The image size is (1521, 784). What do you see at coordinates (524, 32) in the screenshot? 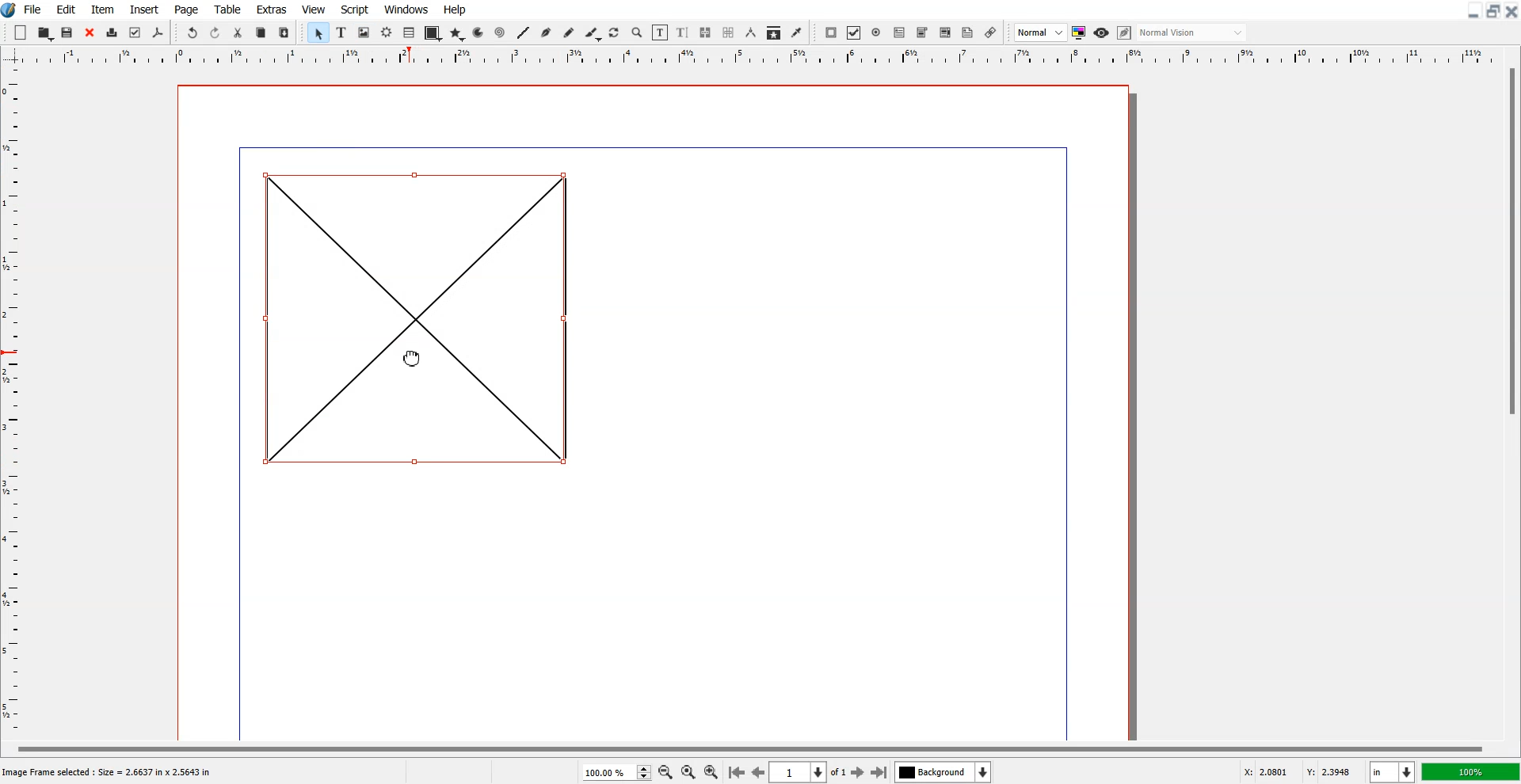
I see `Line` at bounding box center [524, 32].